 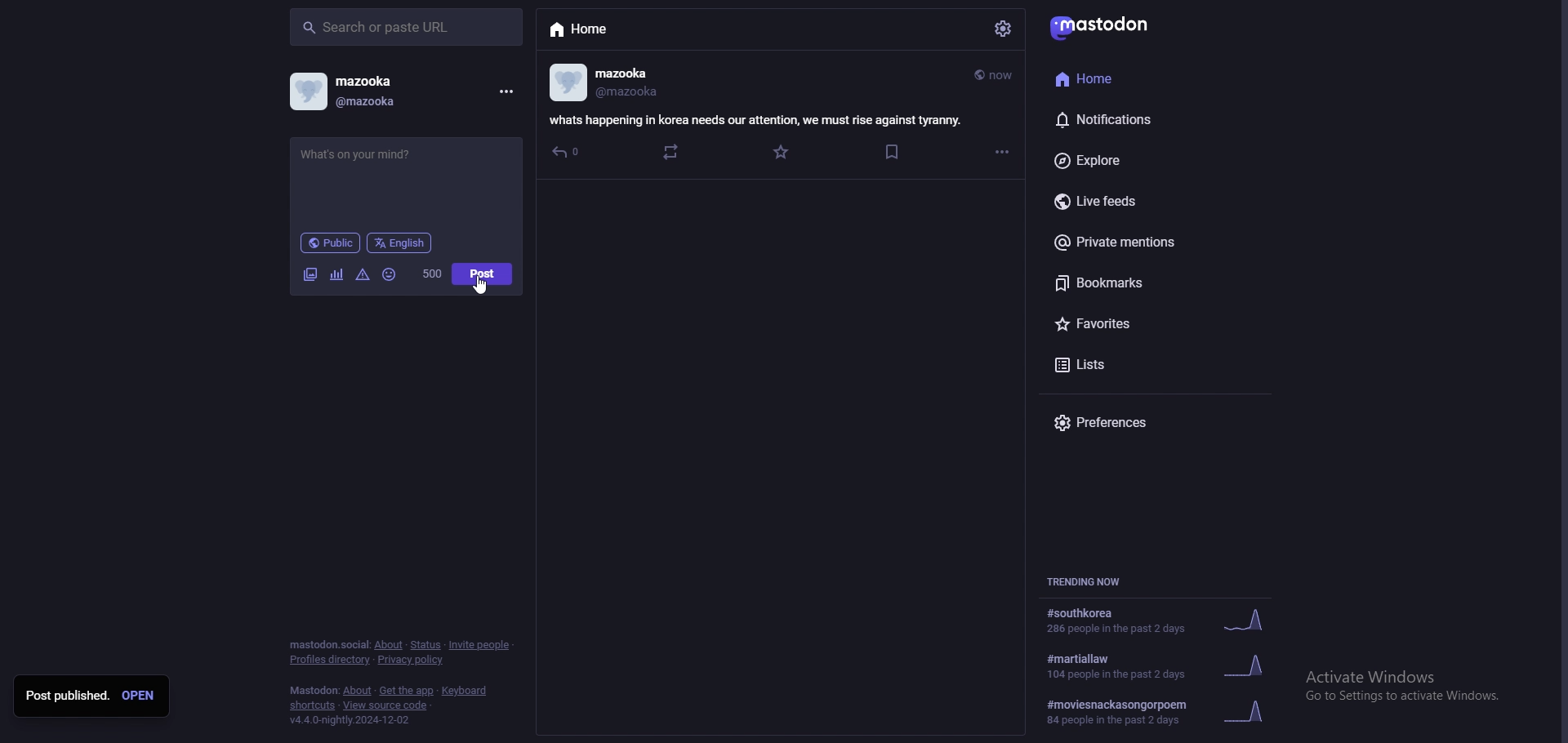 What do you see at coordinates (331, 242) in the screenshot?
I see `audience` at bounding box center [331, 242].